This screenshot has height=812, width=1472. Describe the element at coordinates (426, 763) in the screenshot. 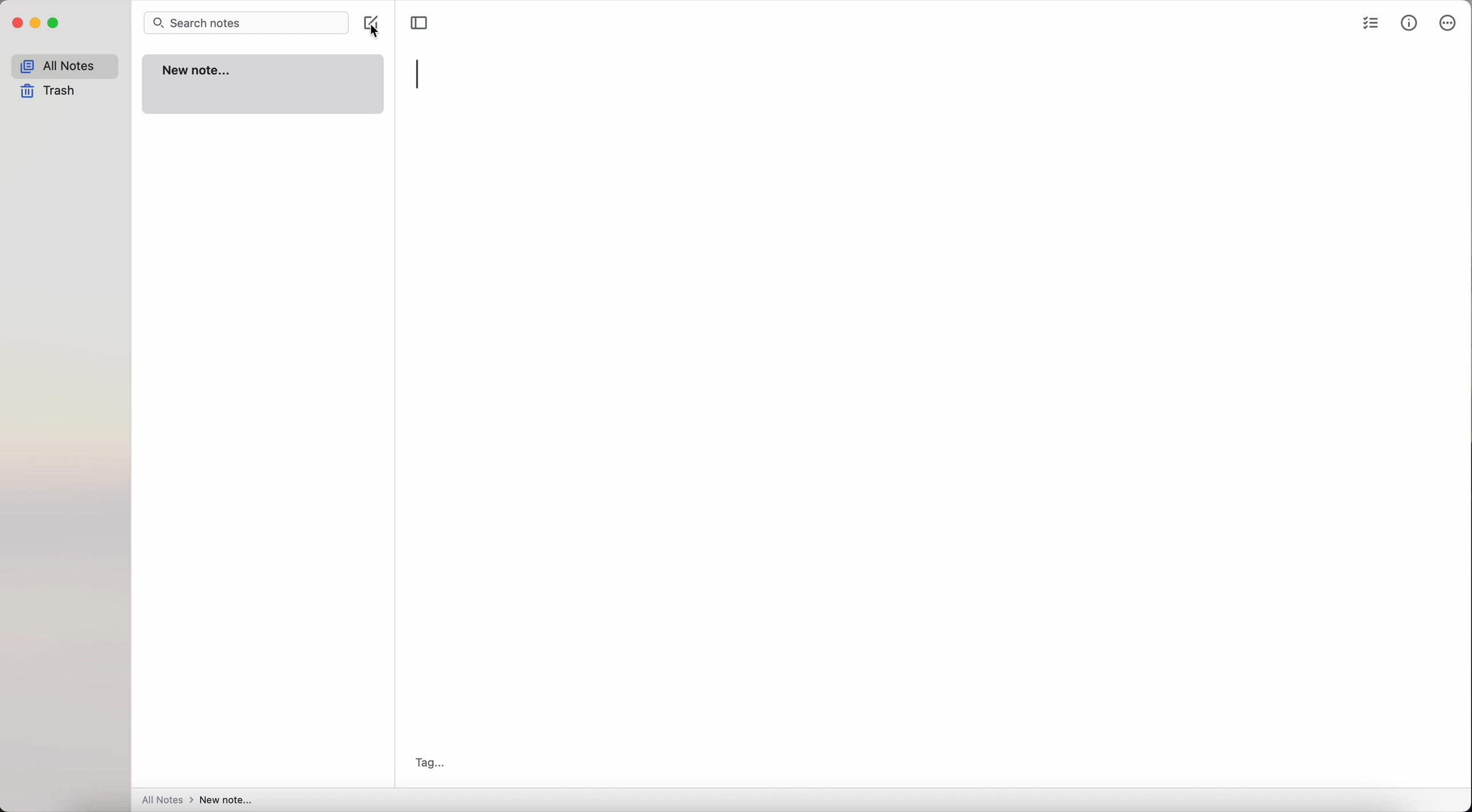

I see `tag` at that location.